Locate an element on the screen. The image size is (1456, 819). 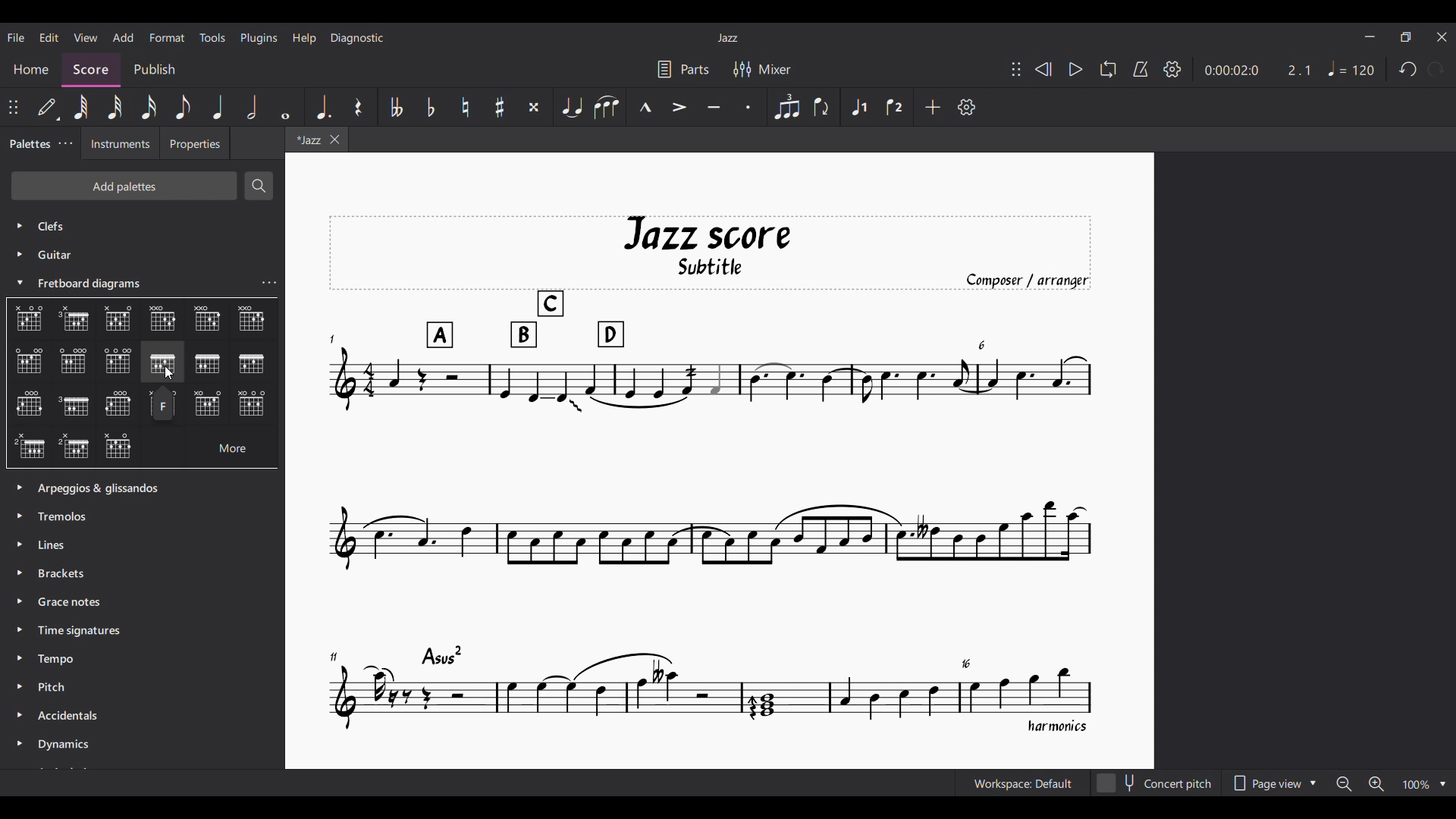
View menu is located at coordinates (86, 38).